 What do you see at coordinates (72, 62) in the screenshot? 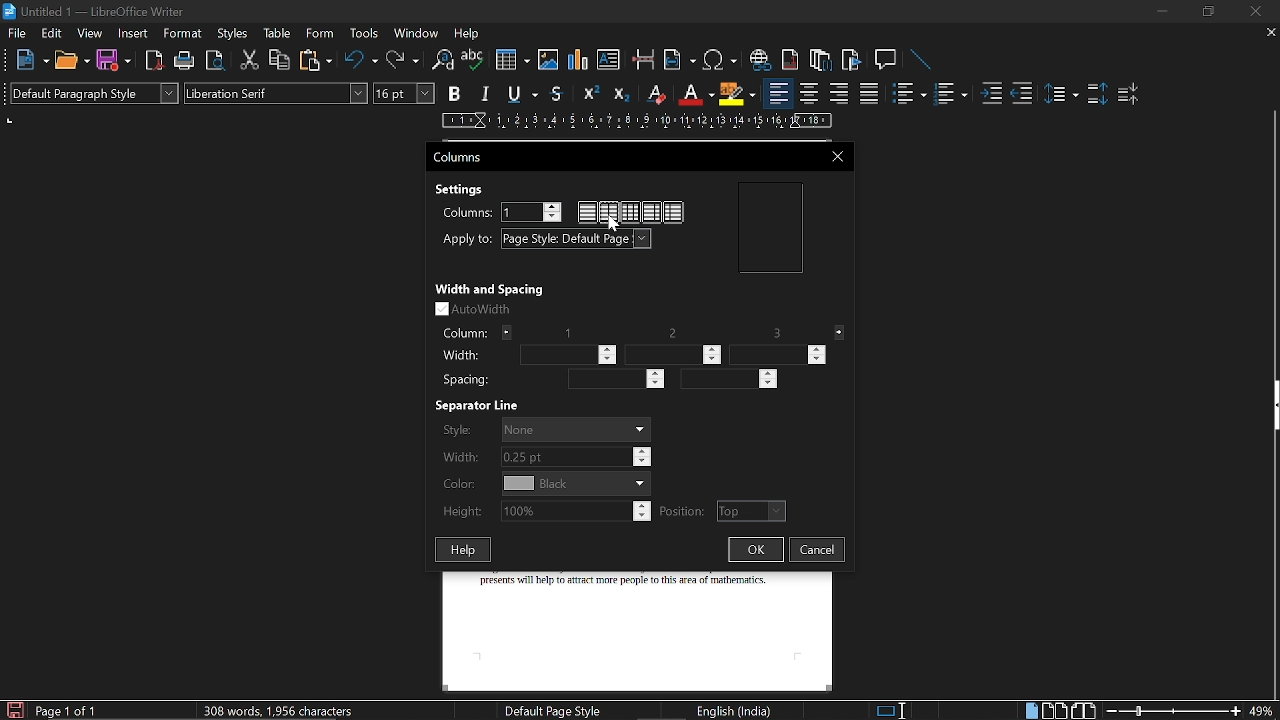
I see `Open` at bounding box center [72, 62].